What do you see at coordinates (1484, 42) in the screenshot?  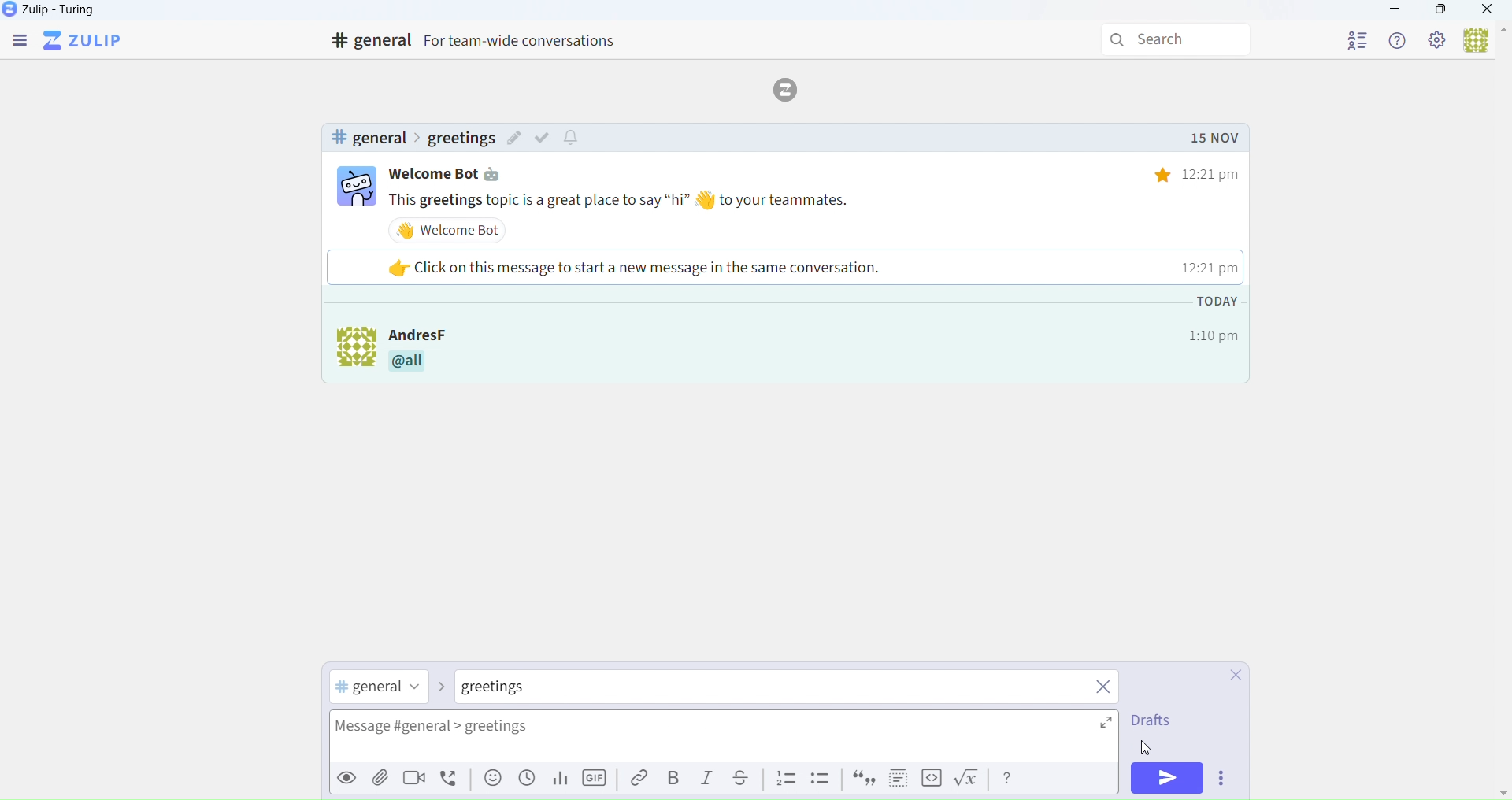 I see `Users` at bounding box center [1484, 42].